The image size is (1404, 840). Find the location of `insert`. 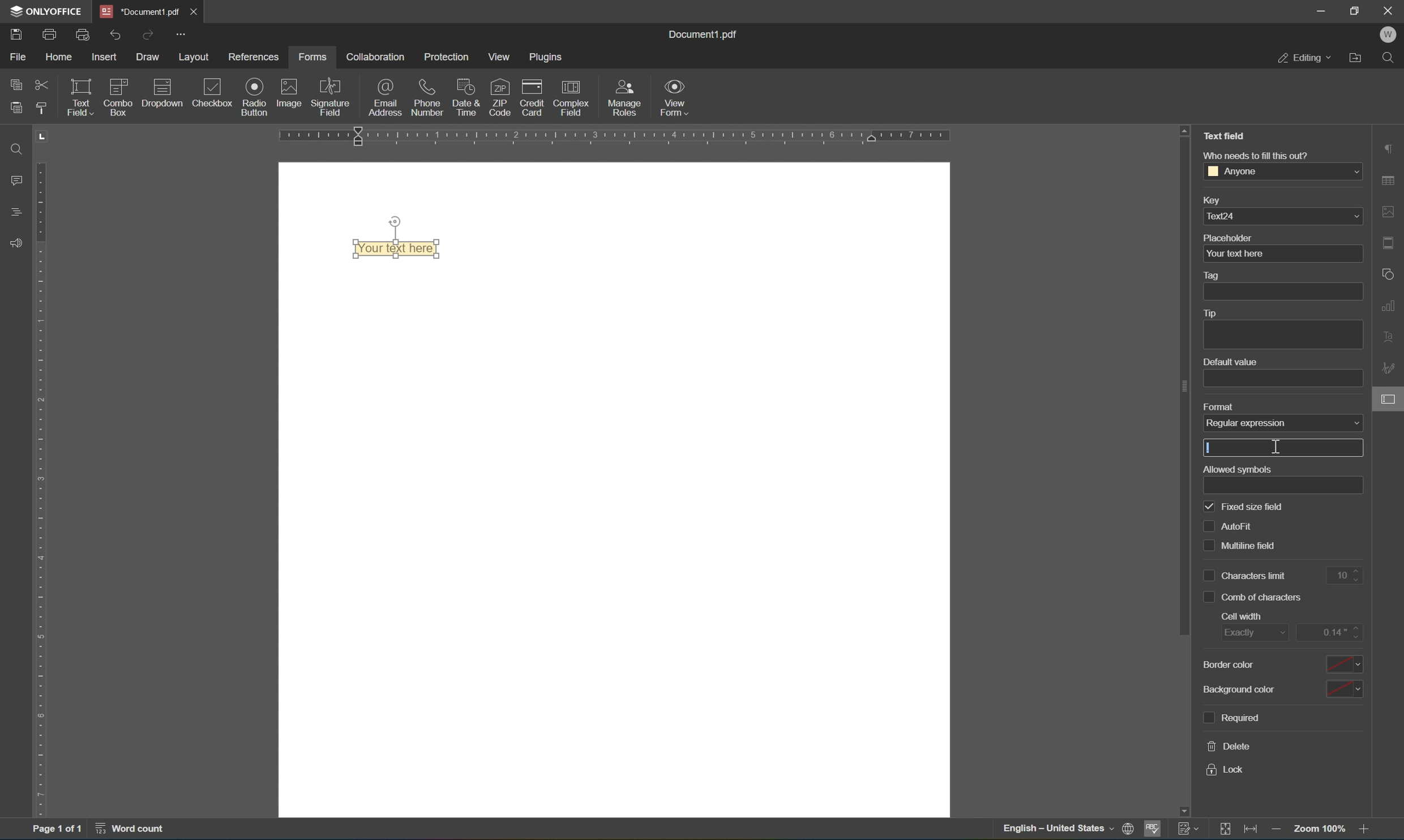

insert is located at coordinates (106, 58).